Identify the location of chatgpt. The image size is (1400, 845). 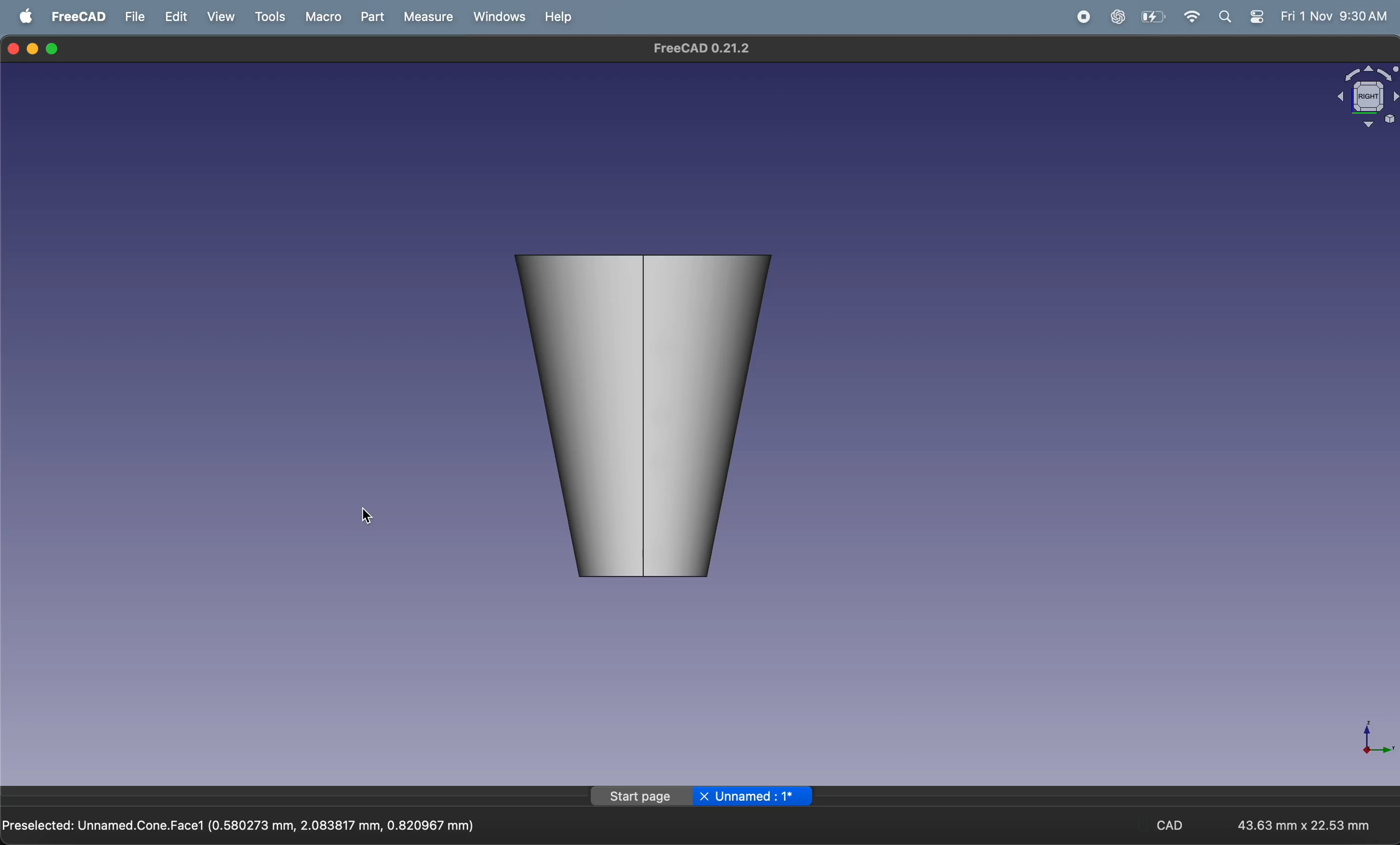
(1116, 16).